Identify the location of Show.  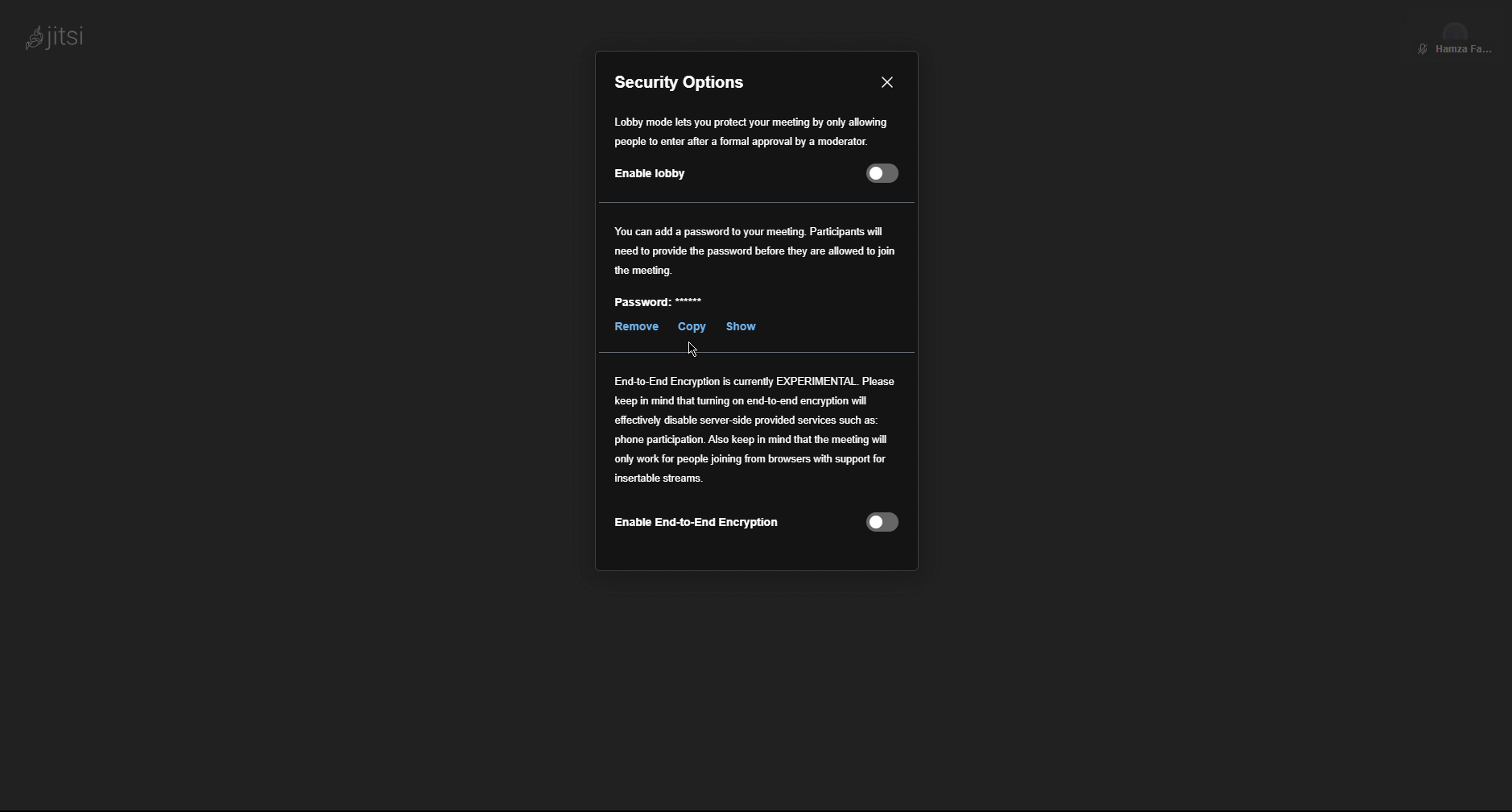
(739, 326).